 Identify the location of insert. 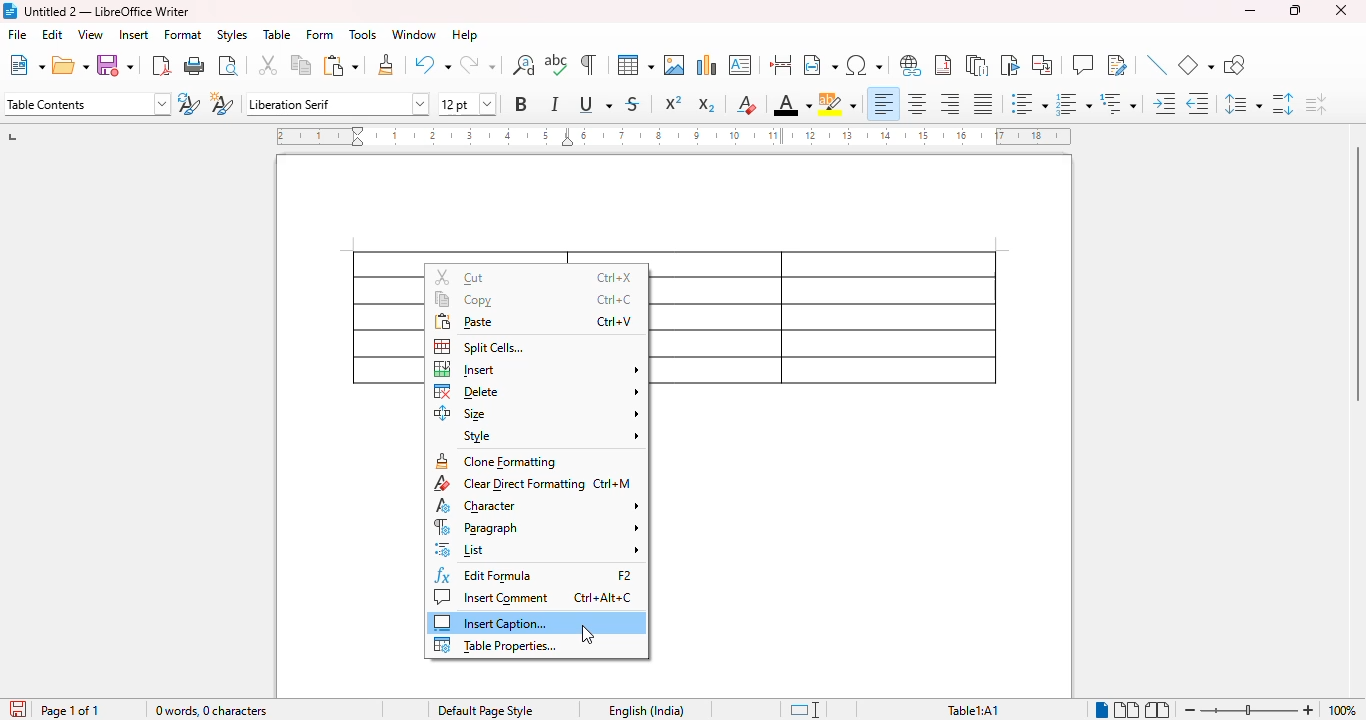
(538, 369).